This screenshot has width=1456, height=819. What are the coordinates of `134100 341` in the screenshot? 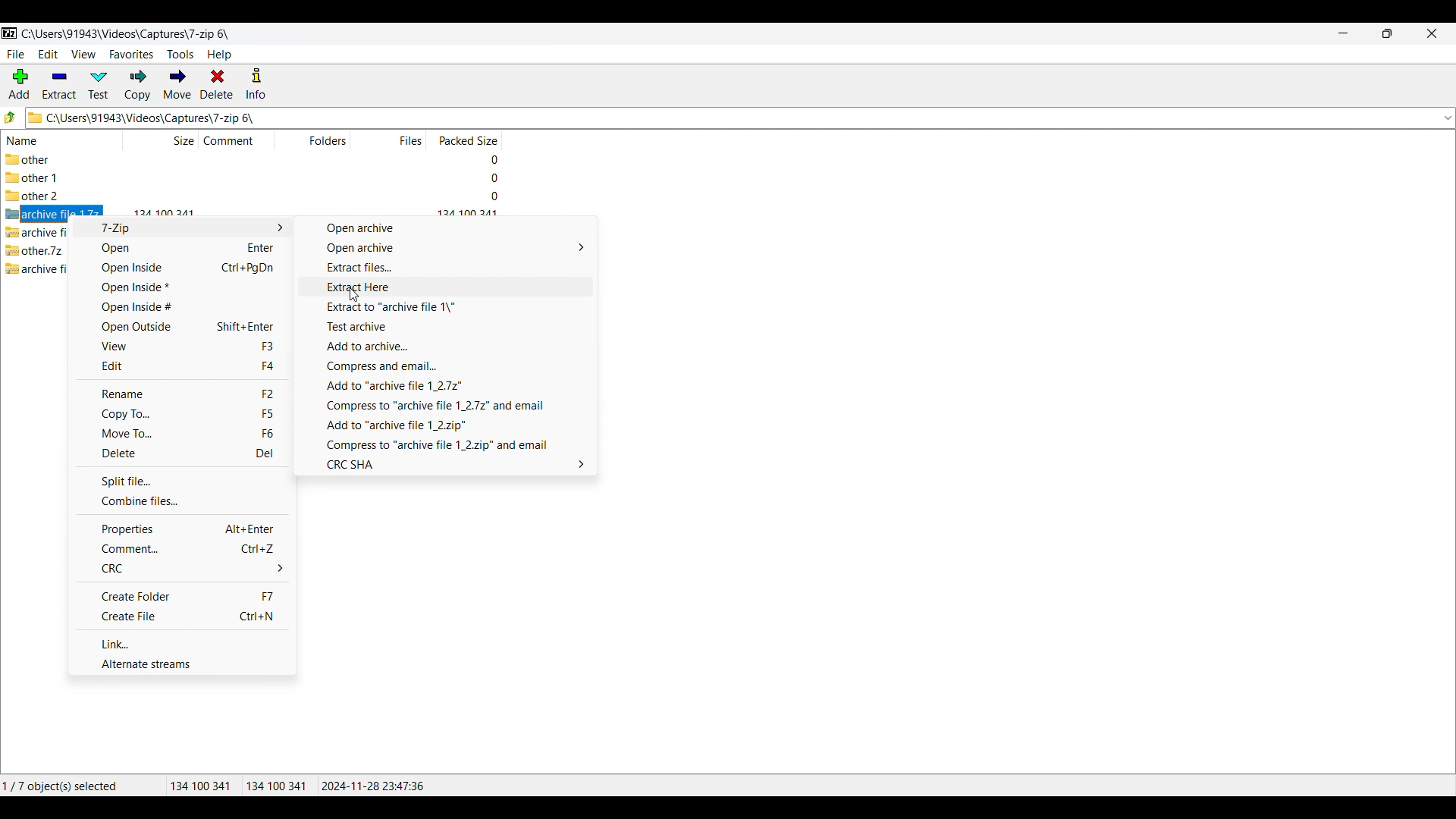 It's located at (276, 786).